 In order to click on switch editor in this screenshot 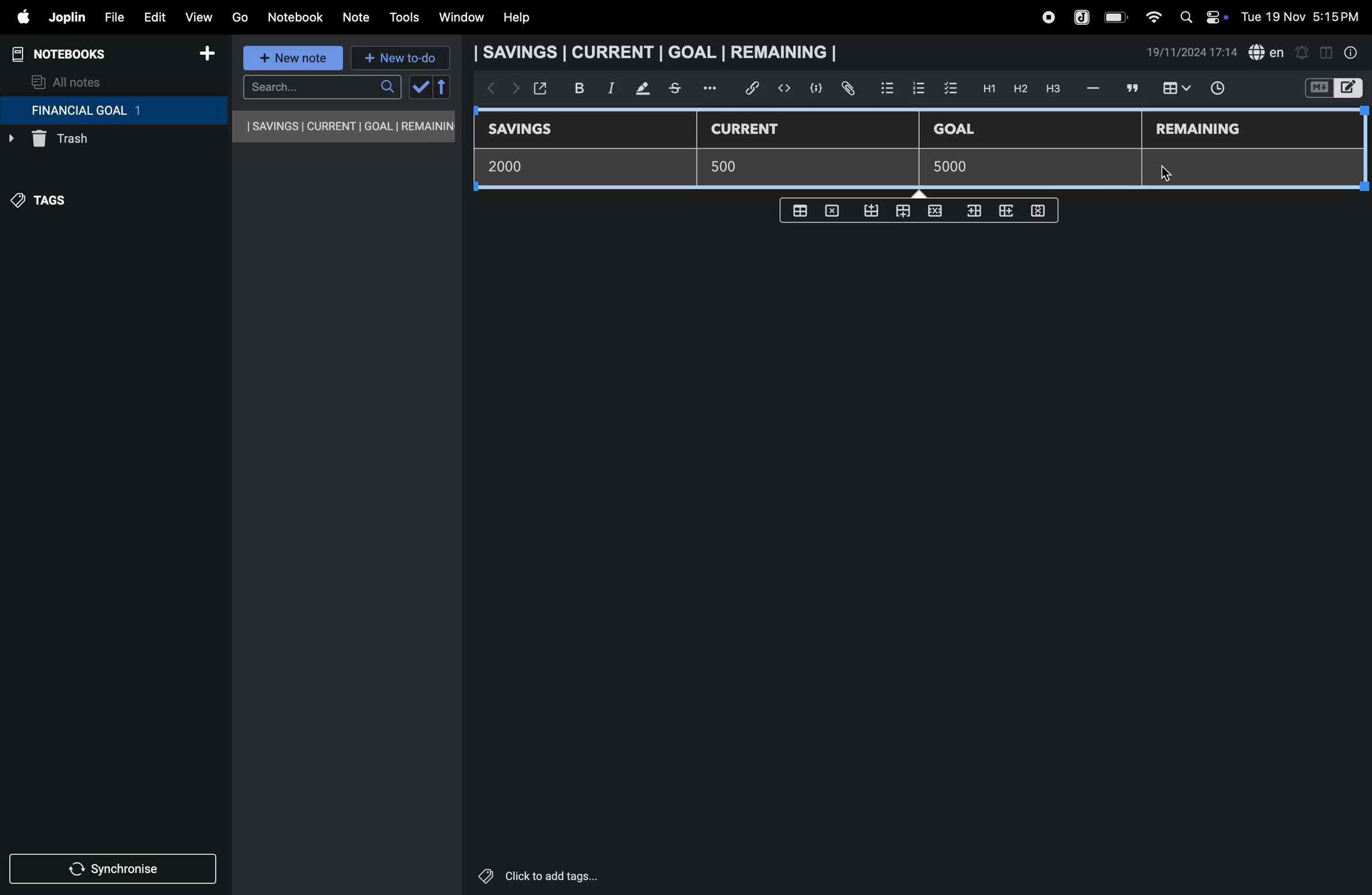, I will do `click(1332, 88)`.